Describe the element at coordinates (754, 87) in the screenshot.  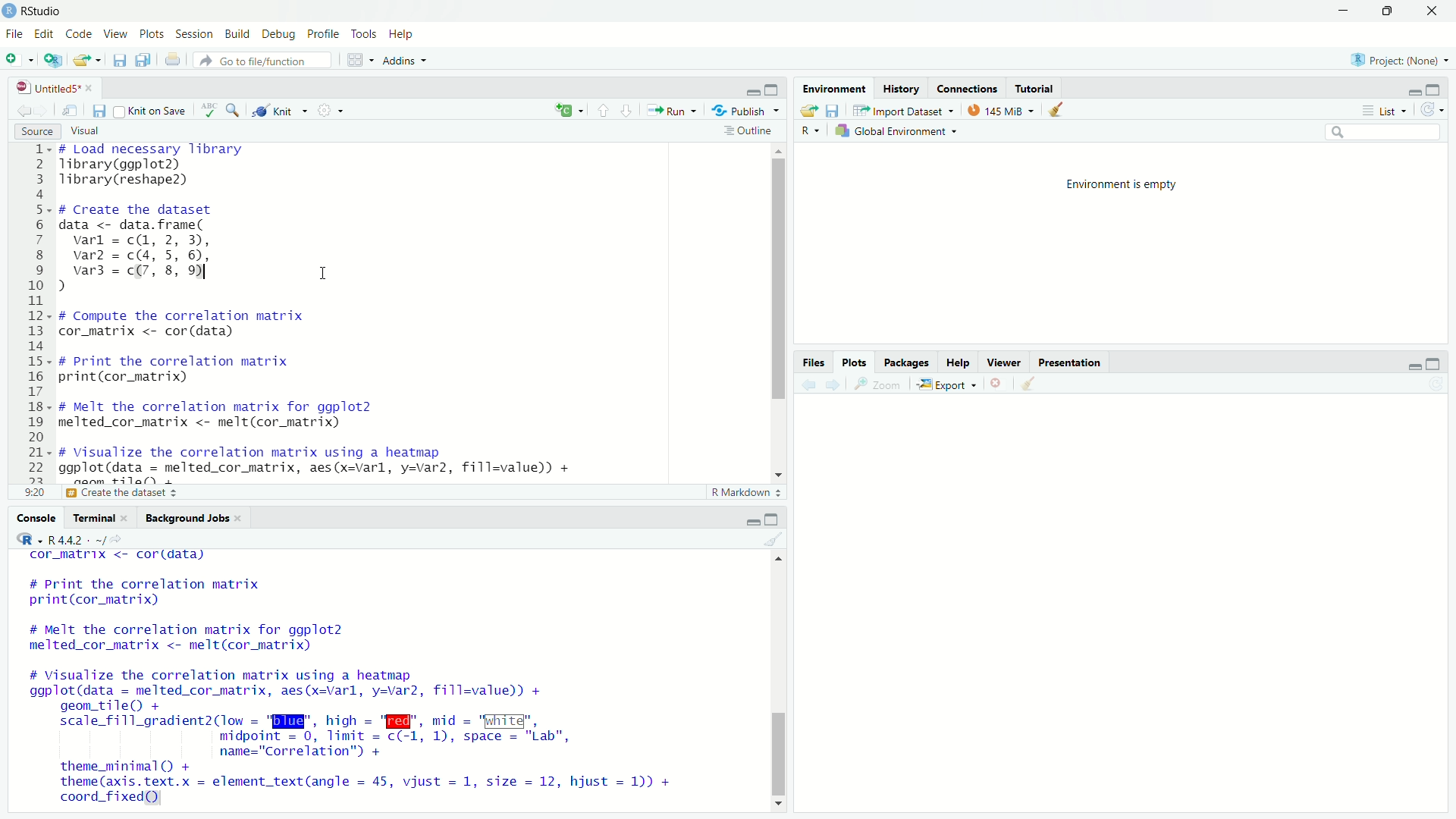
I see `minimize` at that location.